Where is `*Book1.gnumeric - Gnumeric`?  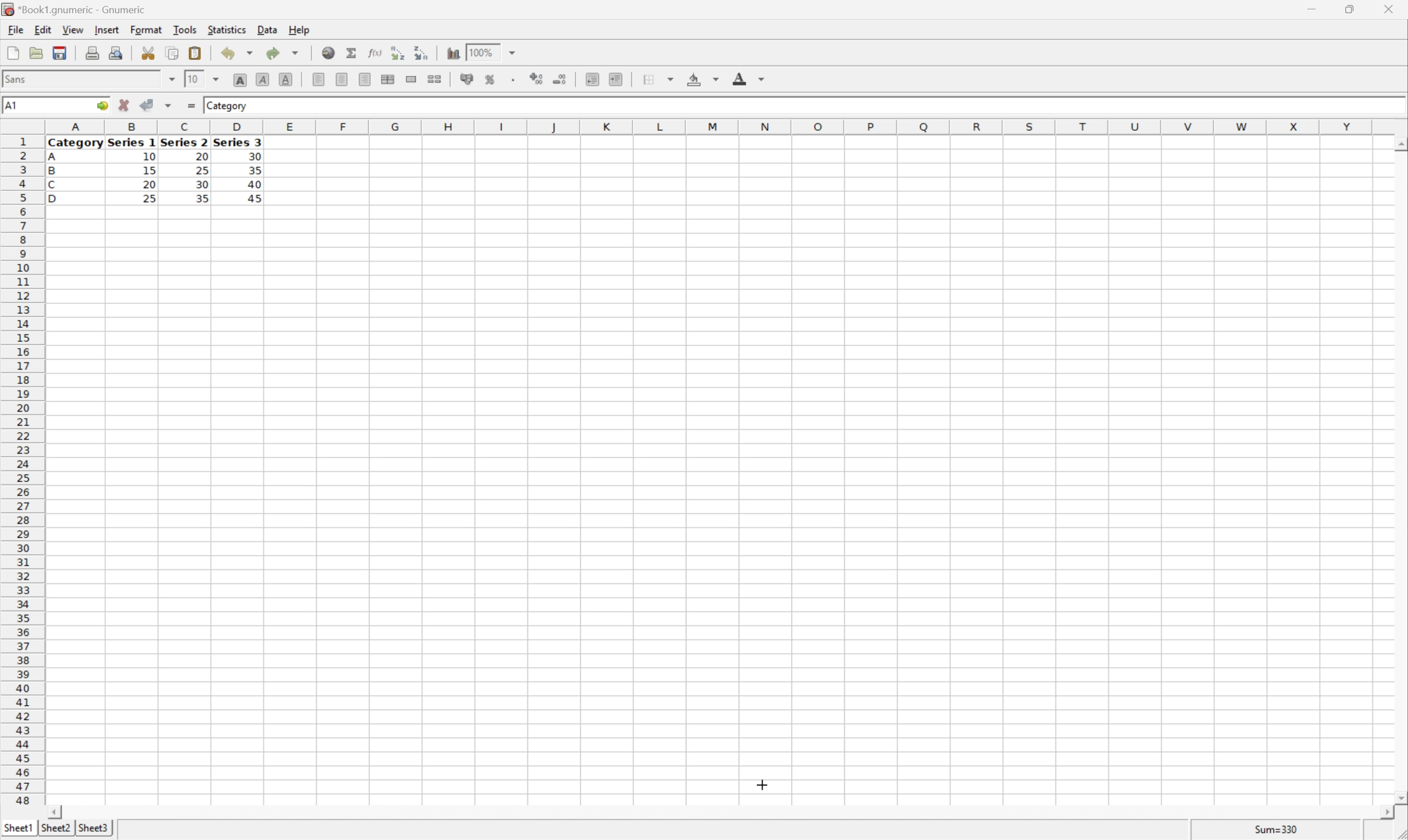 *Book1.gnumeric - Gnumeric is located at coordinates (75, 8).